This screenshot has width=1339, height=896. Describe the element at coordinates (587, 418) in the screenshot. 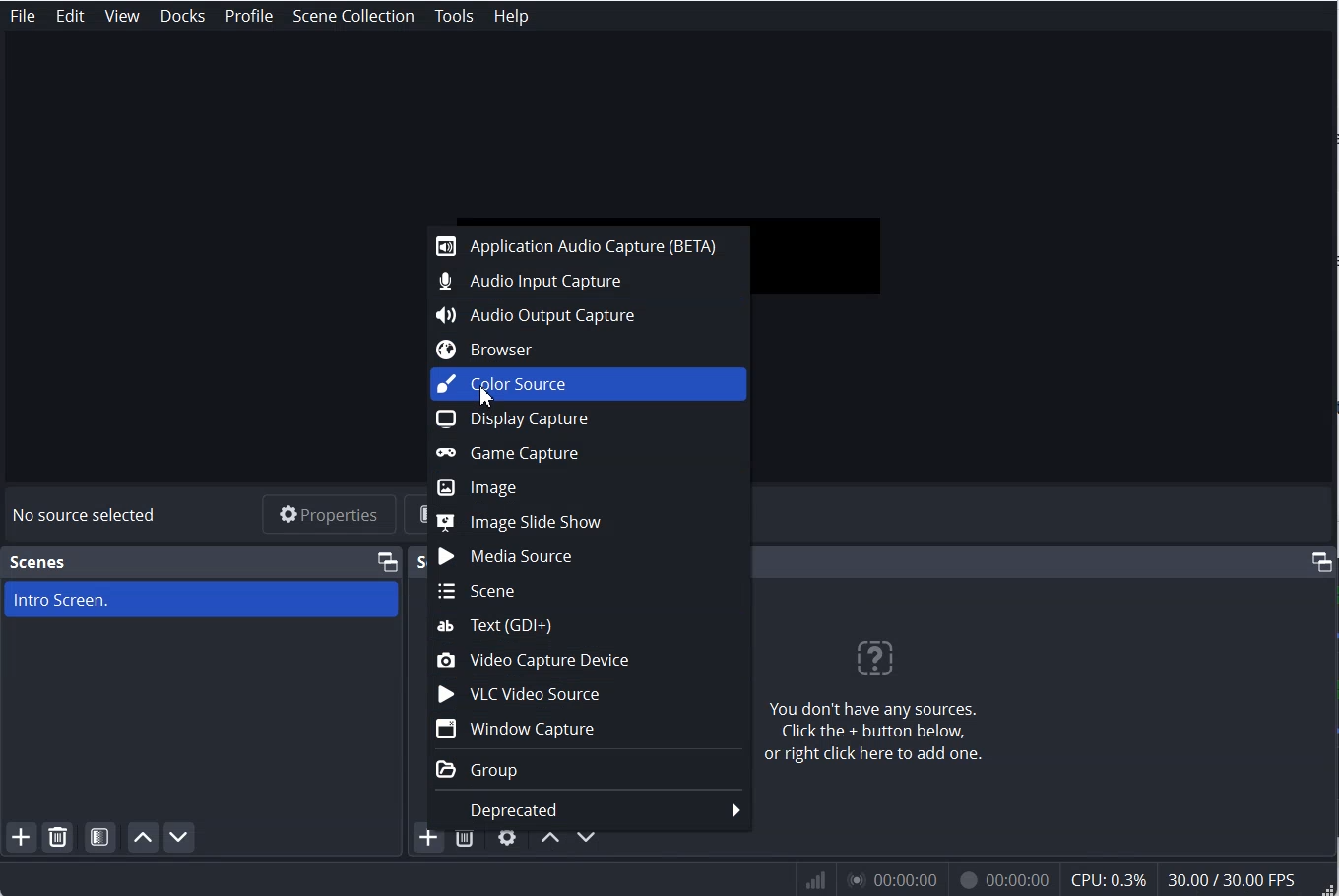

I see `Display Capture` at that location.